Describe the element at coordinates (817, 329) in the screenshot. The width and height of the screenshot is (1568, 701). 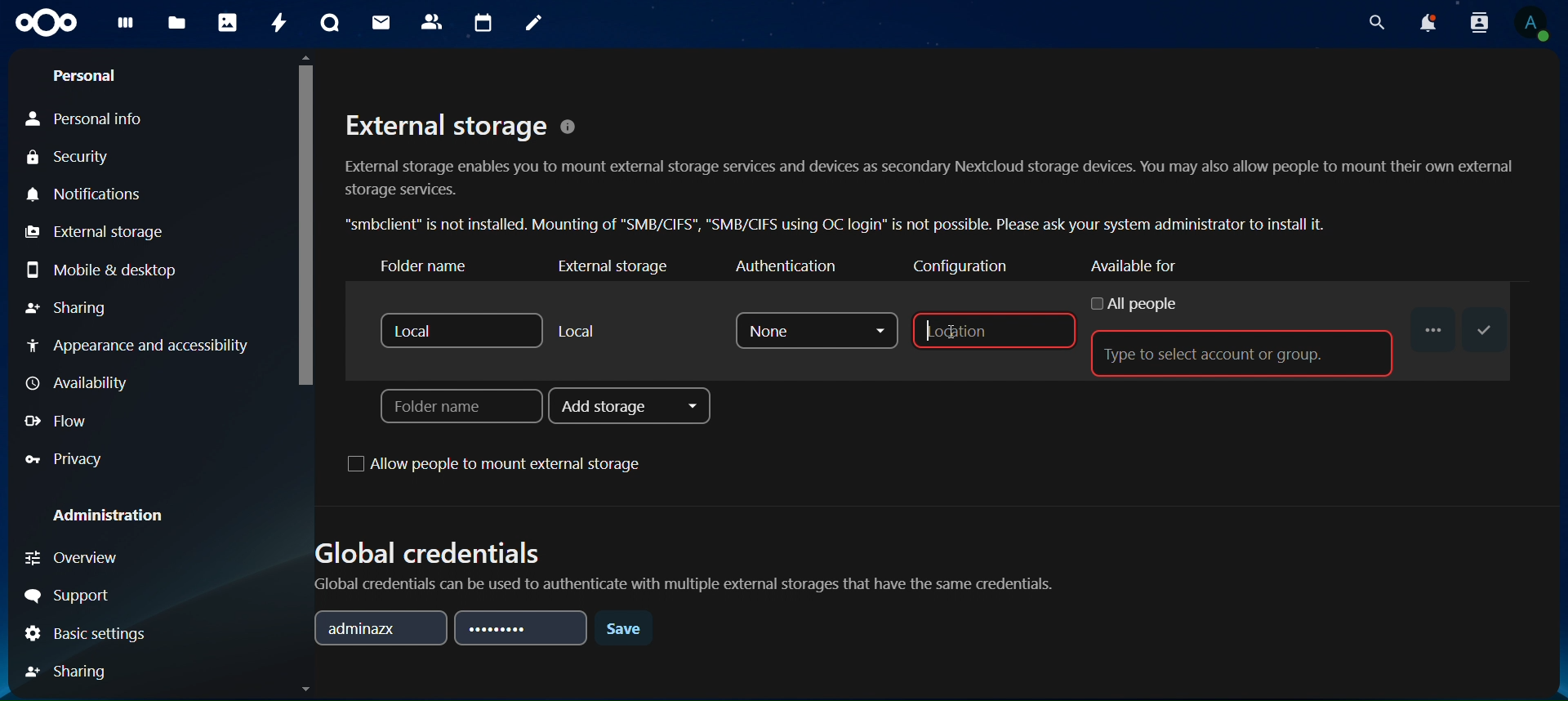
I see `none` at that location.